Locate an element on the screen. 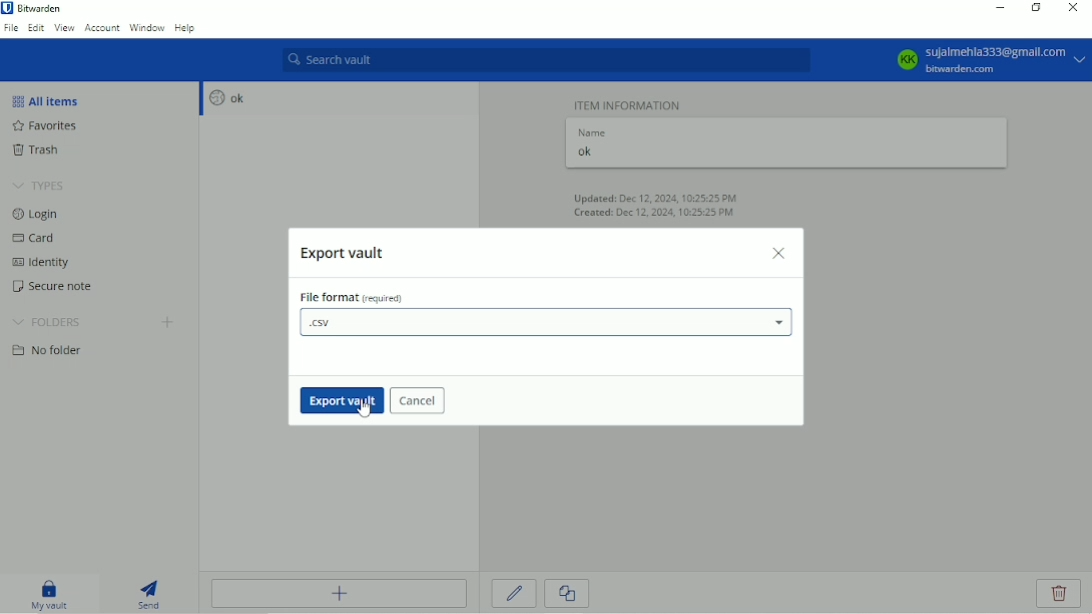 The width and height of the screenshot is (1092, 614). No folder is located at coordinates (52, 352).